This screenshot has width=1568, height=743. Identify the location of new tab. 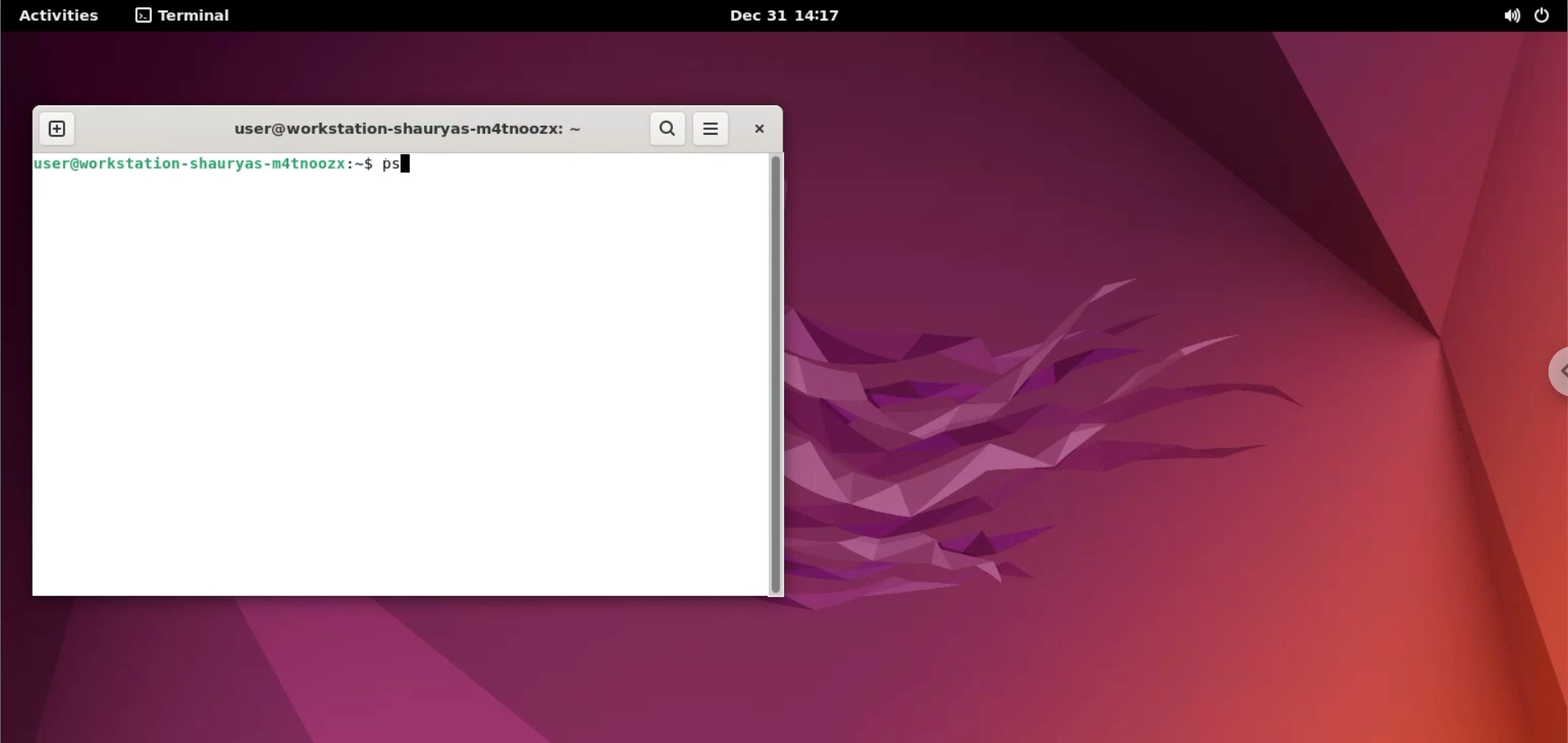
(60, 129).